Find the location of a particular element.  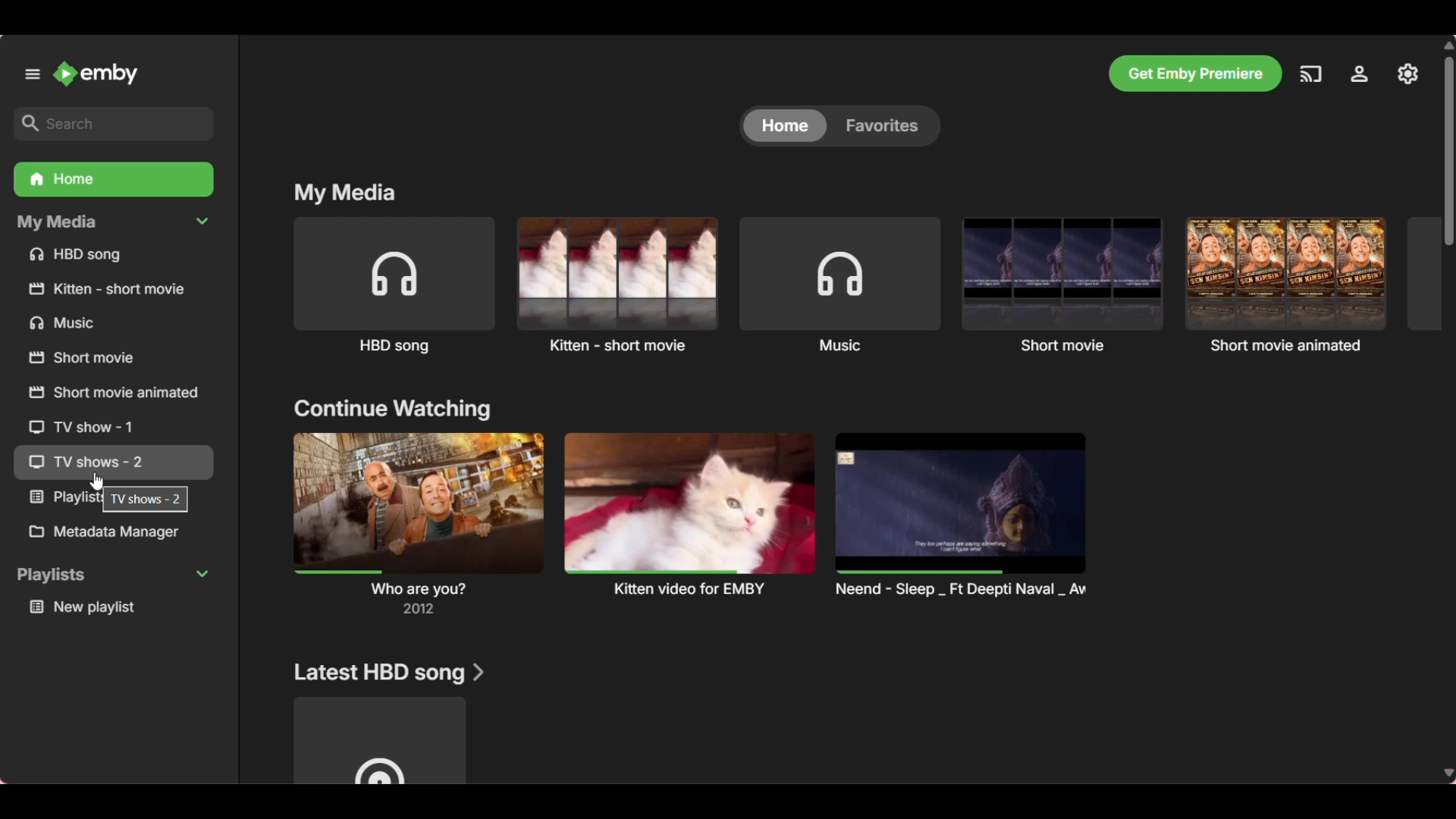

 is located at coordinates (108, 396).